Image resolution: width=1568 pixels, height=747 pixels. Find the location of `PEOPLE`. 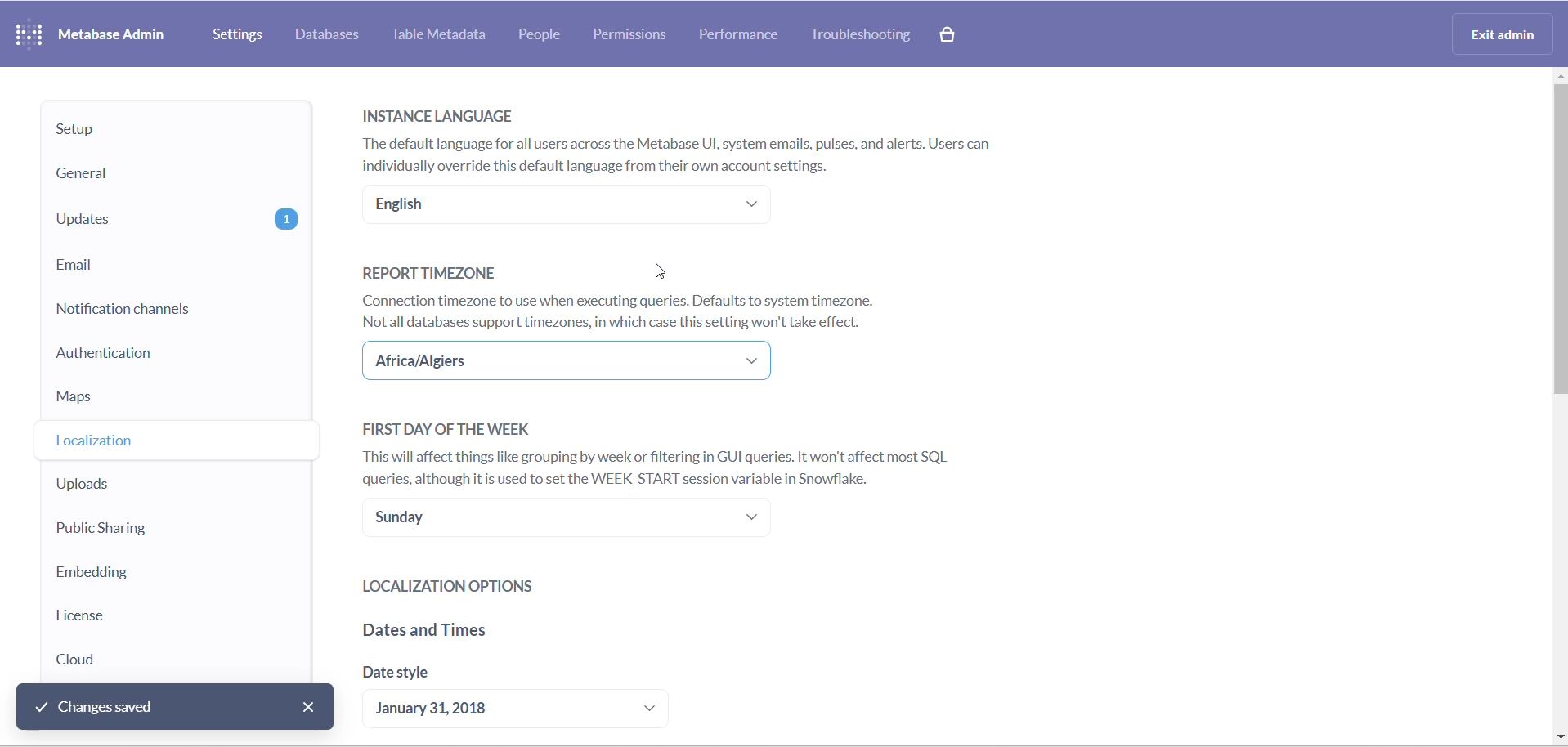

PEOPLE is located at coordinates (548, 35).